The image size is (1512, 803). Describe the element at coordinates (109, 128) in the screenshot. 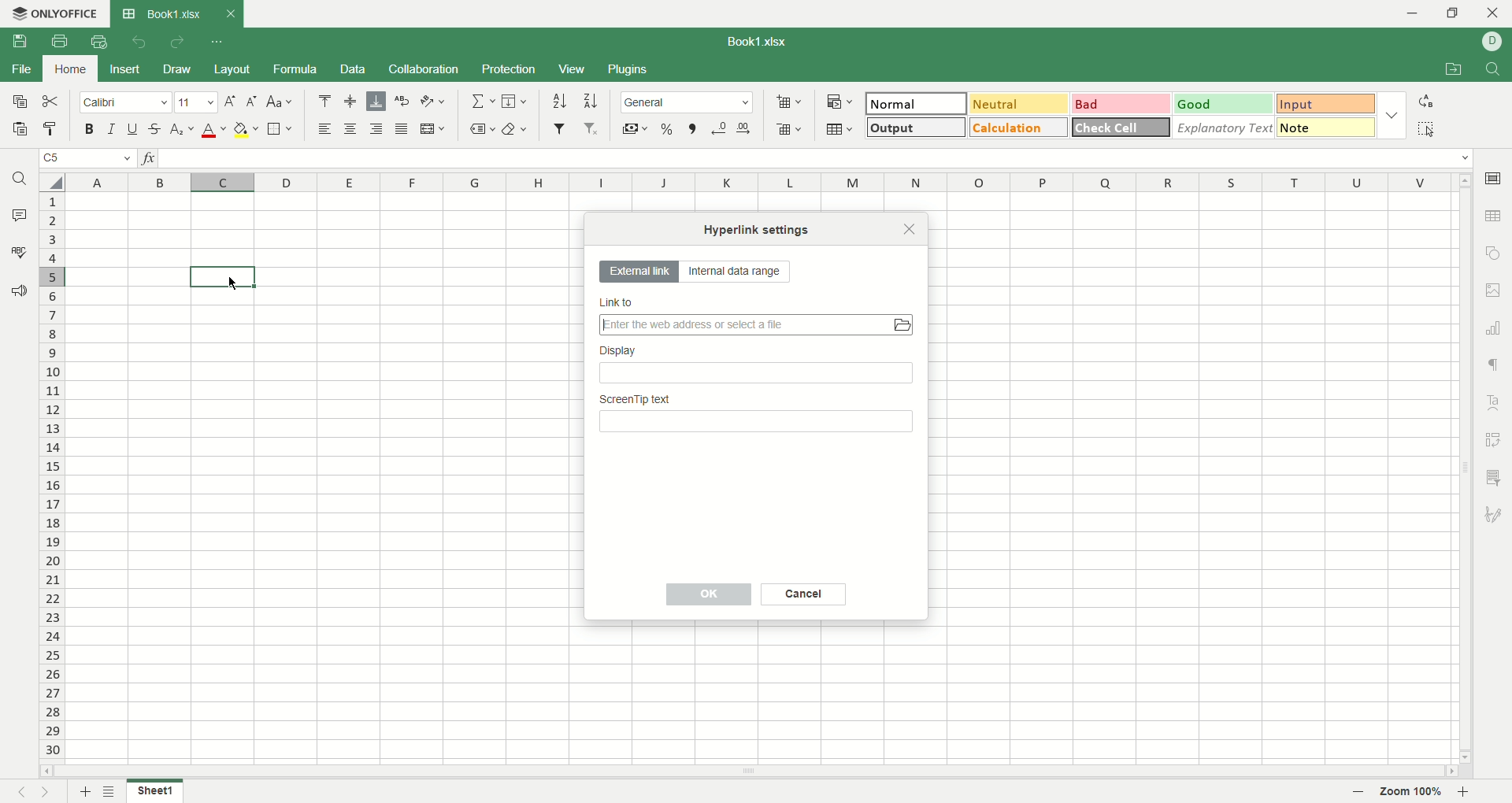

I see `italics` at that location.